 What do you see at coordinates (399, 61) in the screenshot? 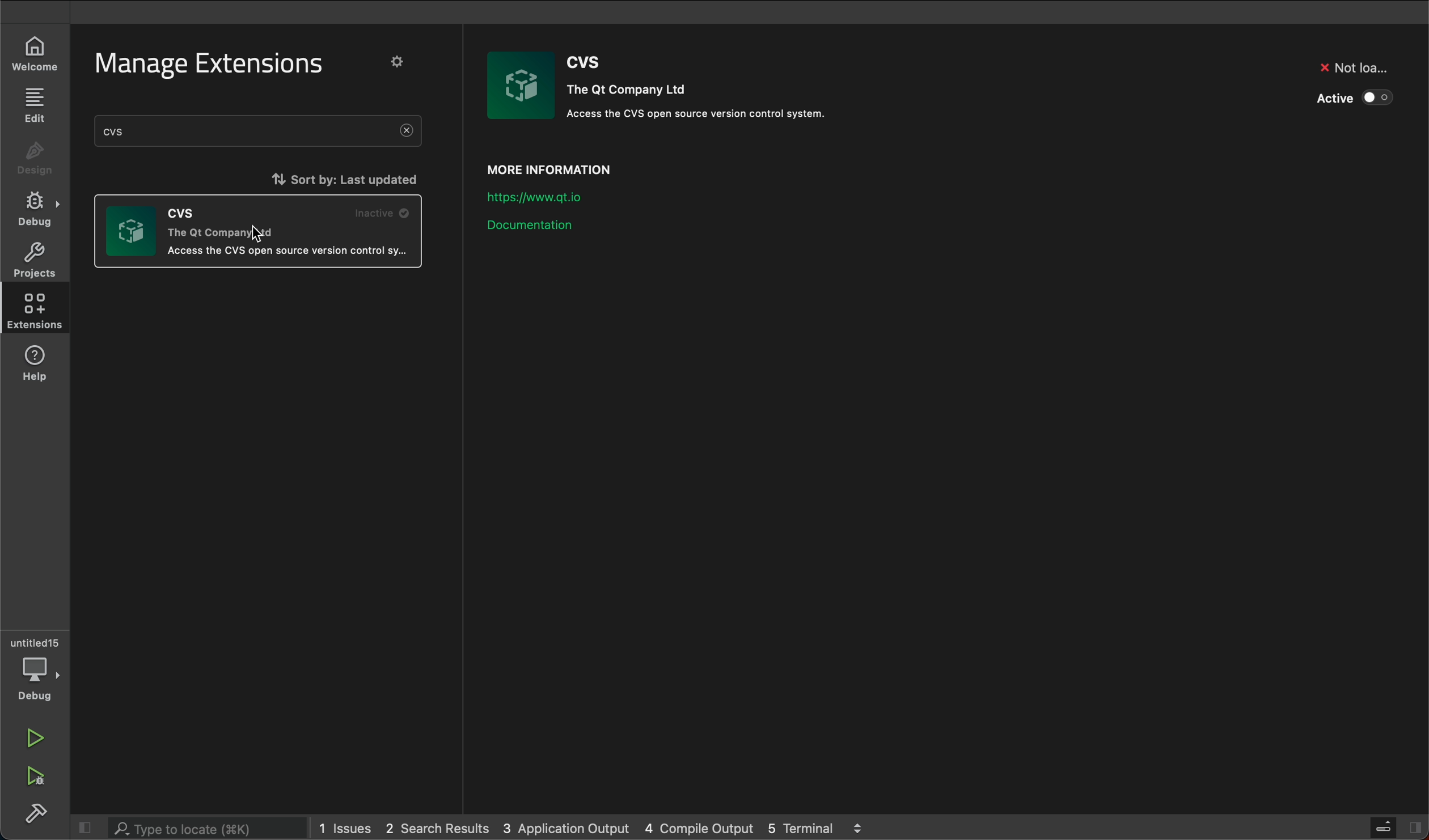
I see `settings` at bounding box center [399, 61].